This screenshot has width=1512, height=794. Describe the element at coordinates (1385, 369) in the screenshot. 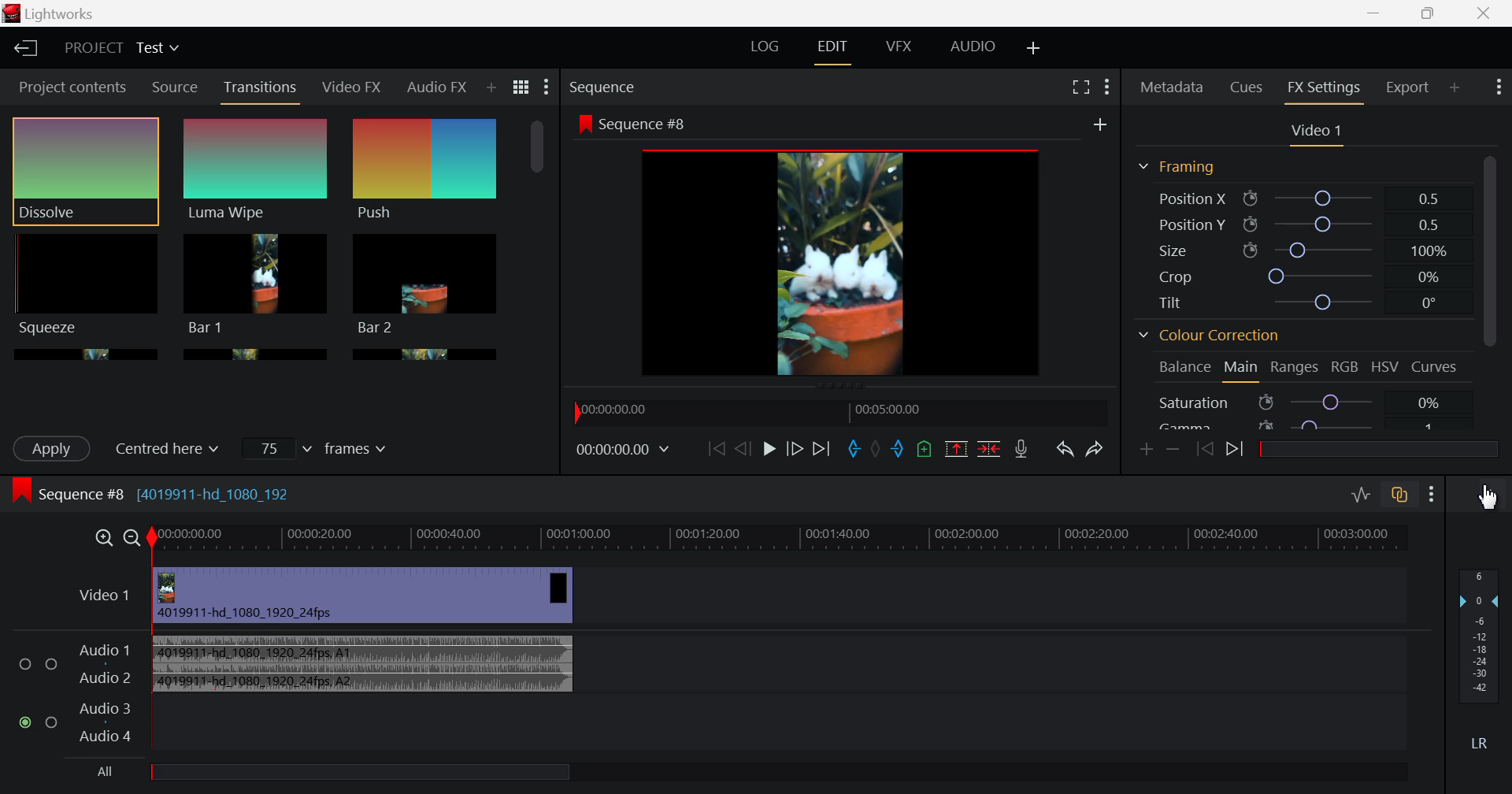

I see `HSV` at that location.